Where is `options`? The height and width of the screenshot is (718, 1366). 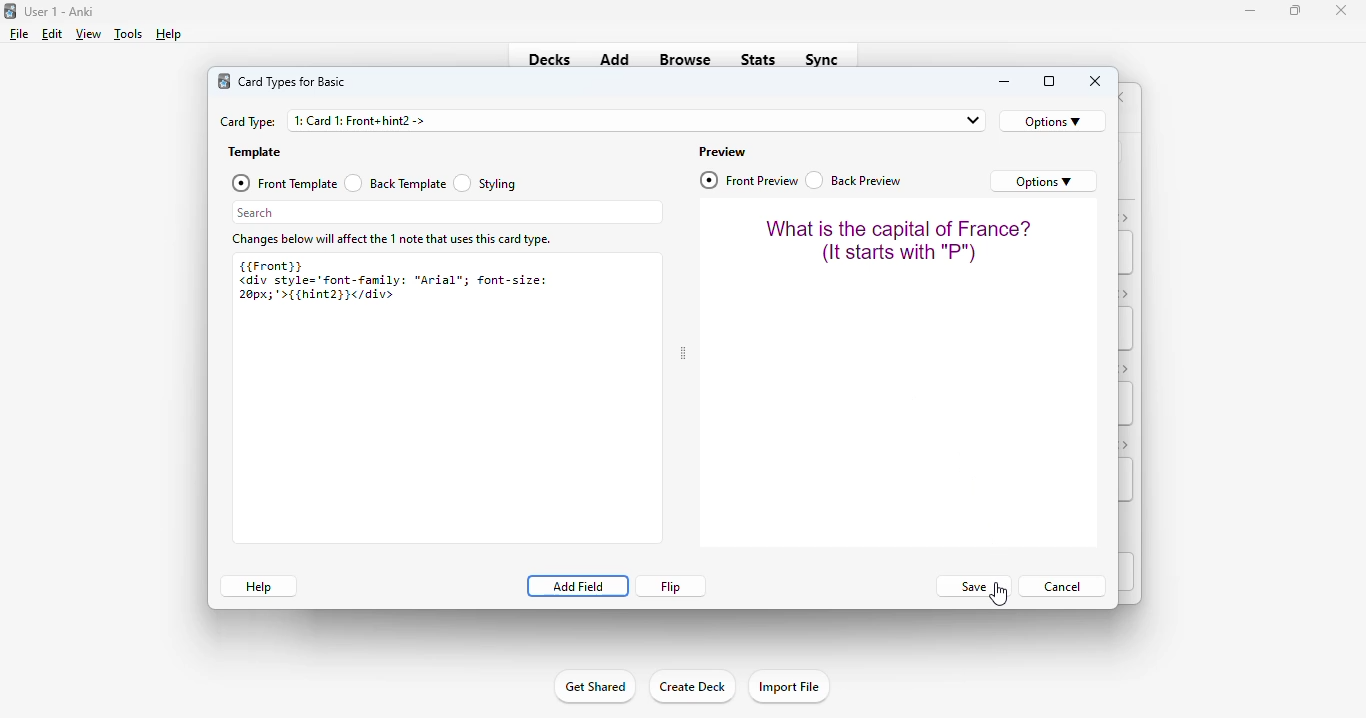
options is located at coordinates (1044, 181).